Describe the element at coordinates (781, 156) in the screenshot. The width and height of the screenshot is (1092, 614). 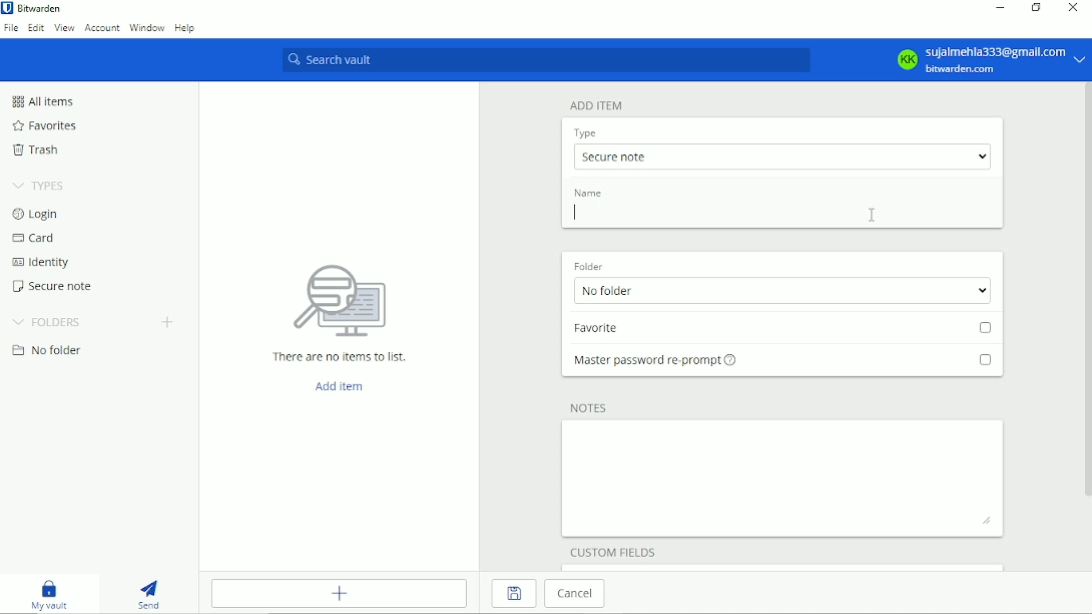
I see `Secure note` at that location.